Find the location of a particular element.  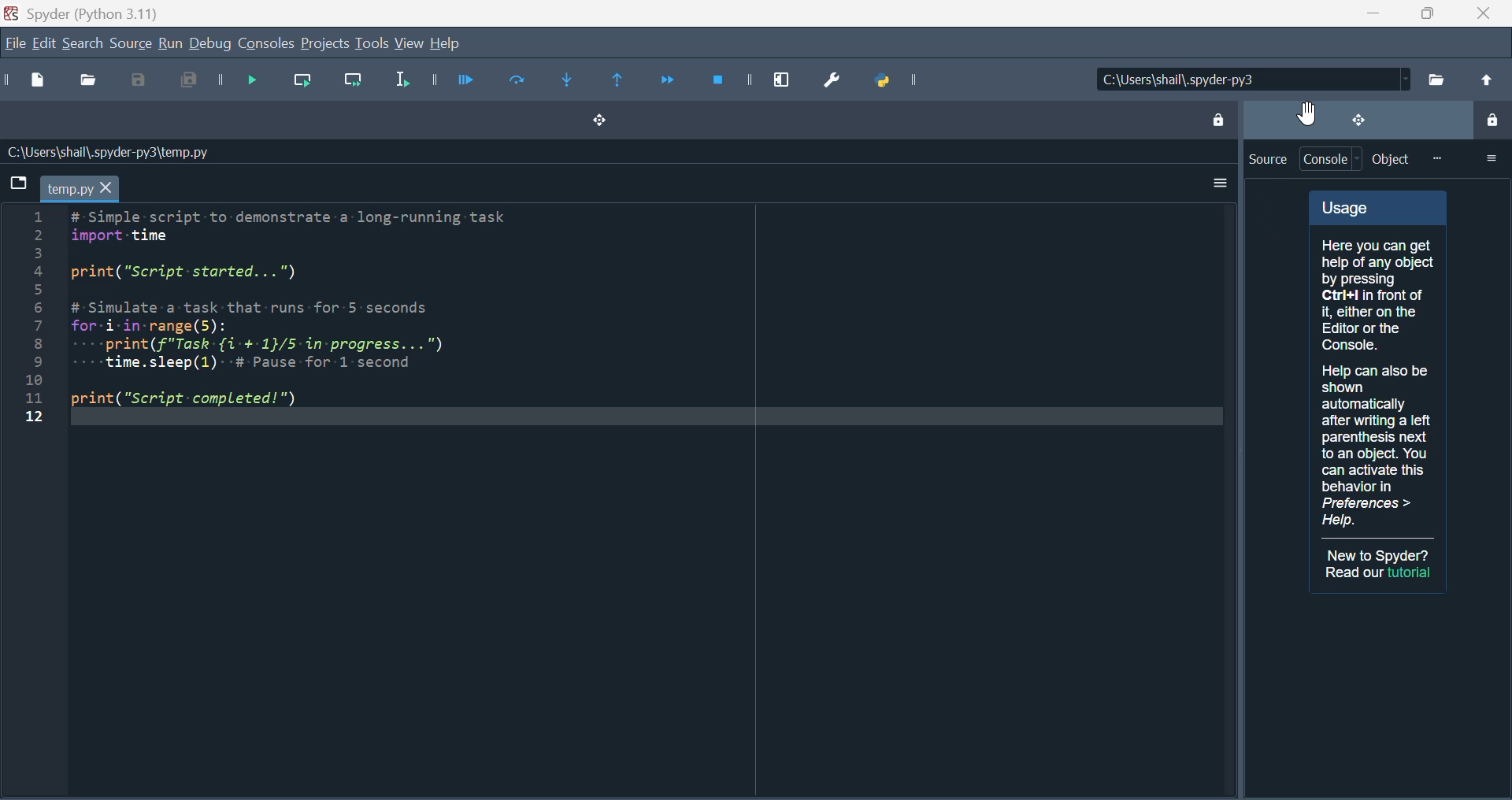

Run current line is located at coordinates (305, 82).